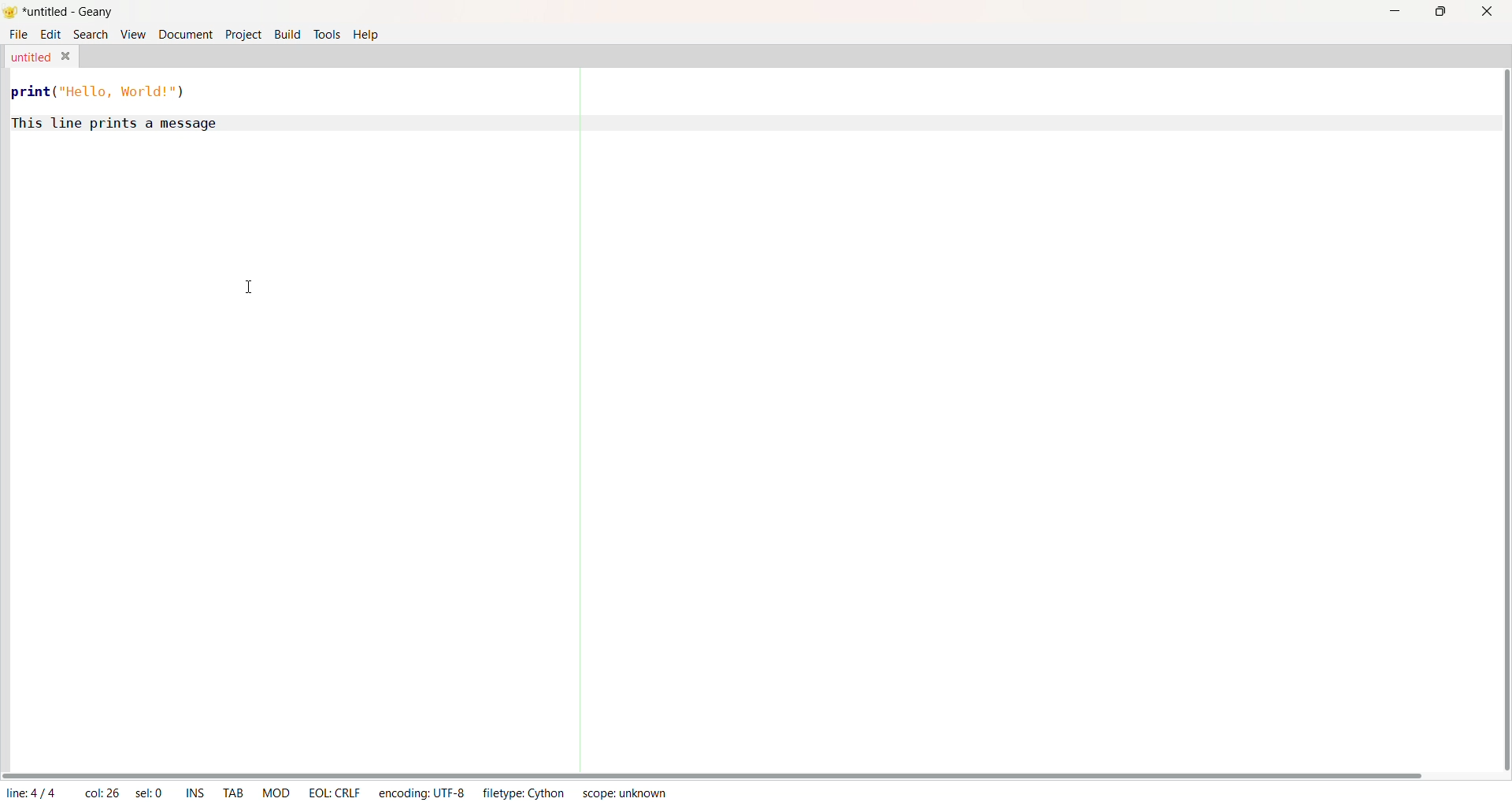  I want to click on tab, so click(233, 792).